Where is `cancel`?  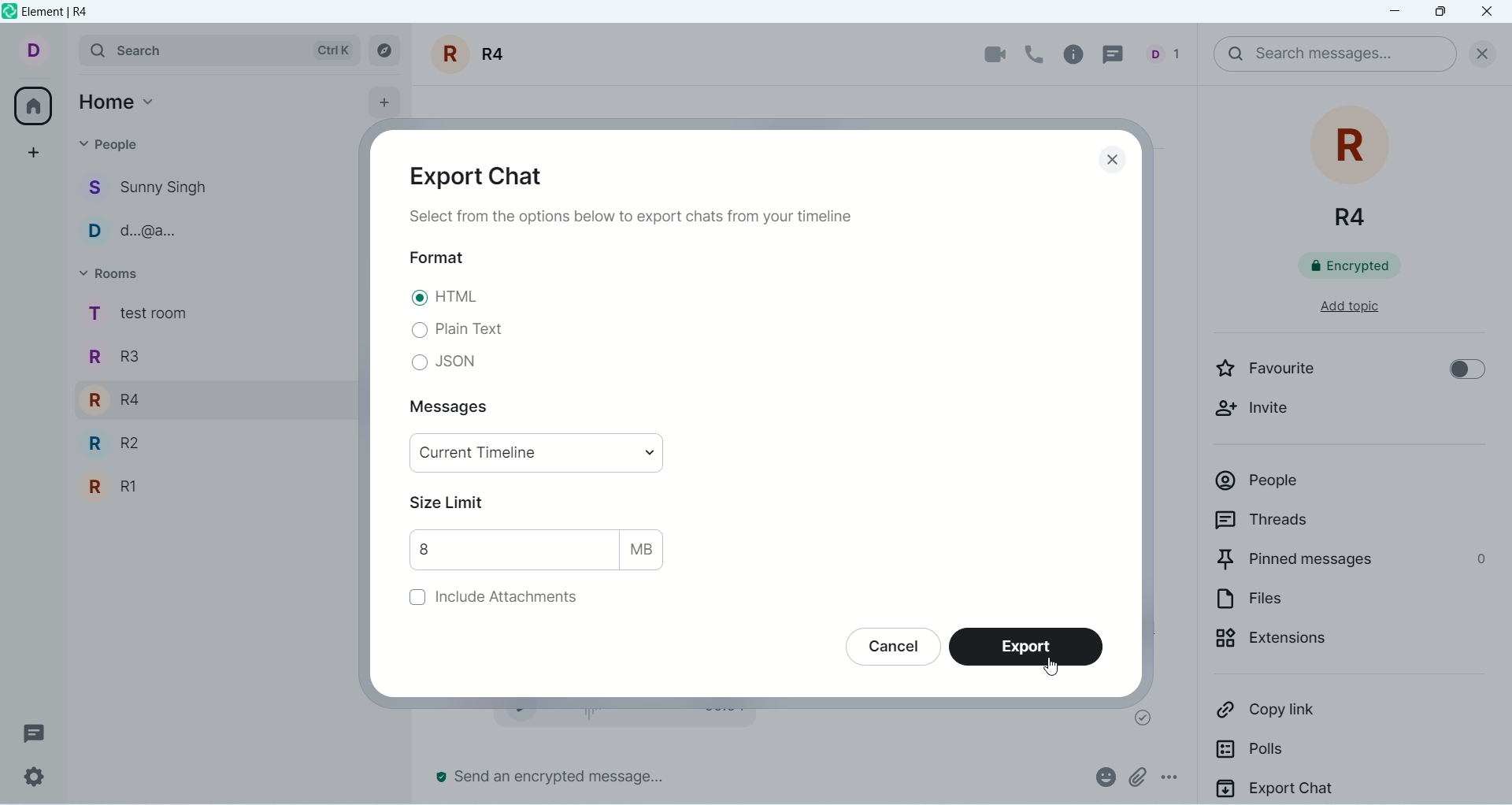
cancel is located at coordinates (887, 649).